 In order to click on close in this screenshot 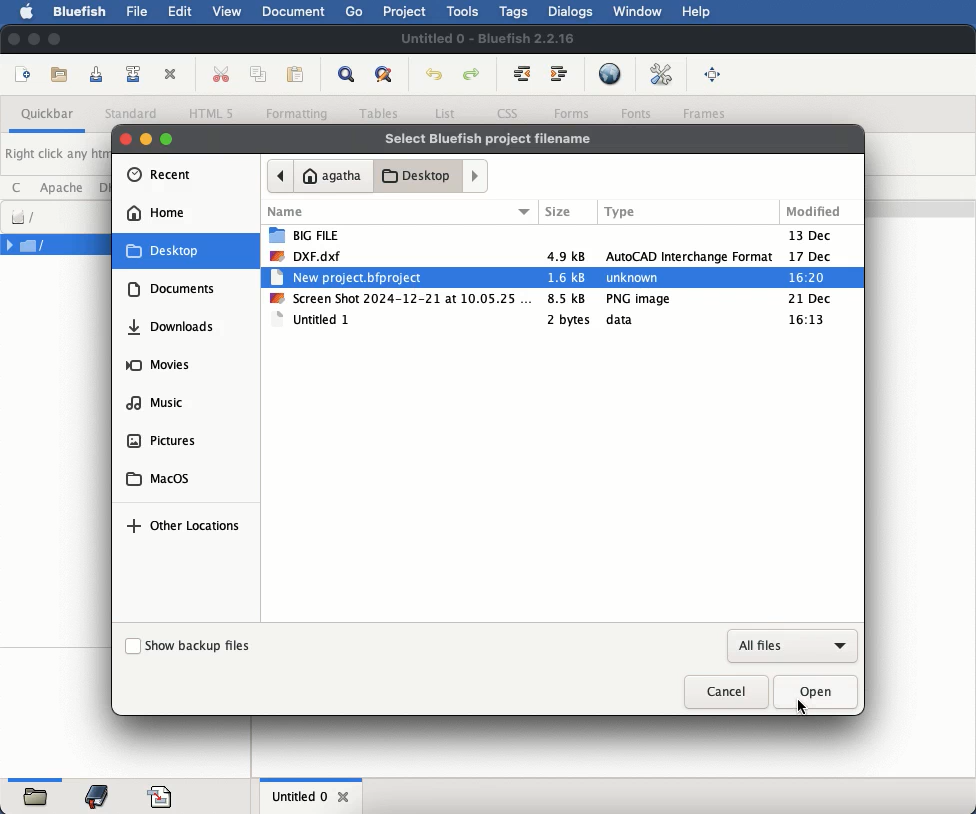, I will do `click(14, 38)`.